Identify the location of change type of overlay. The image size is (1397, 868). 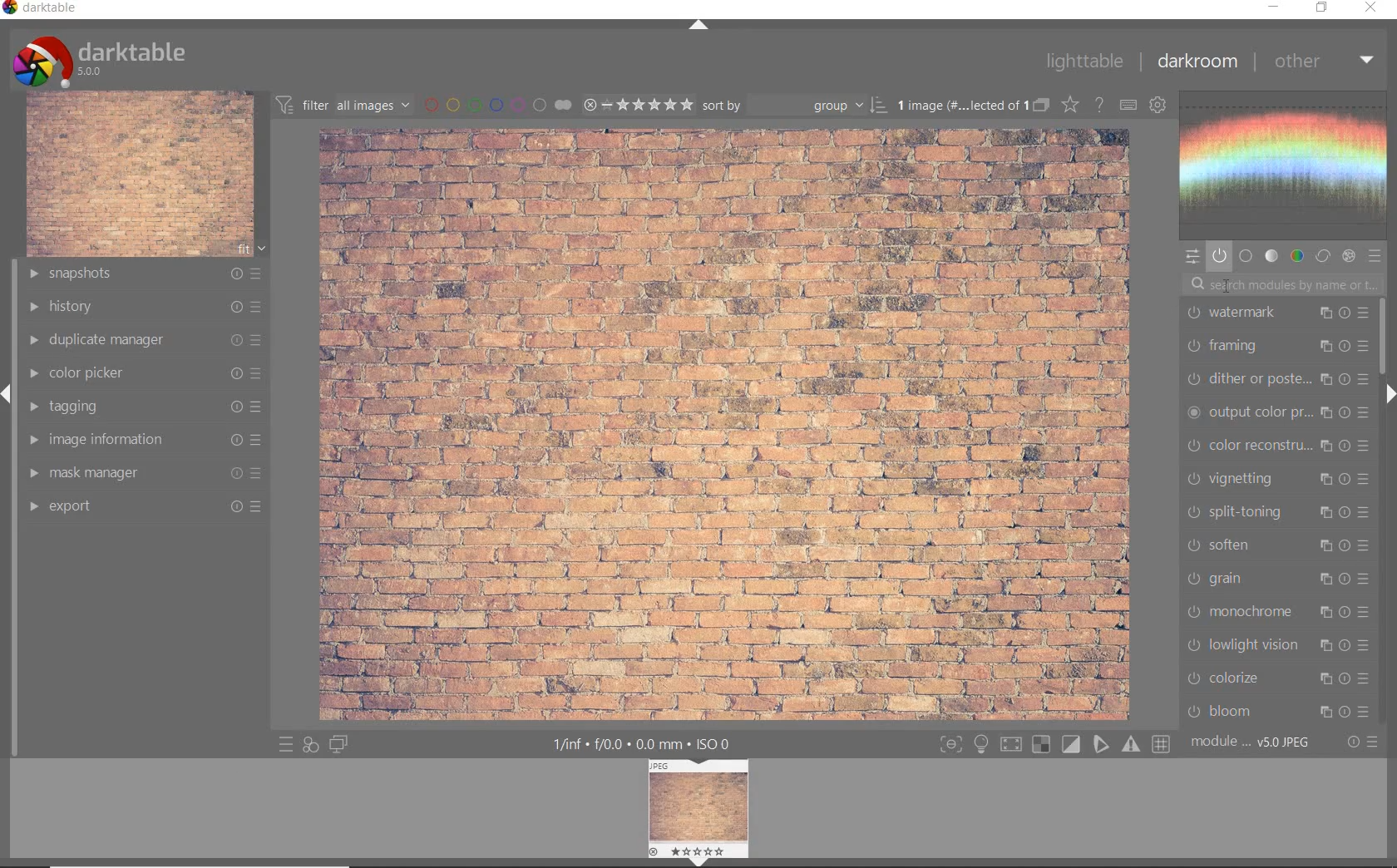
(1069, 104).